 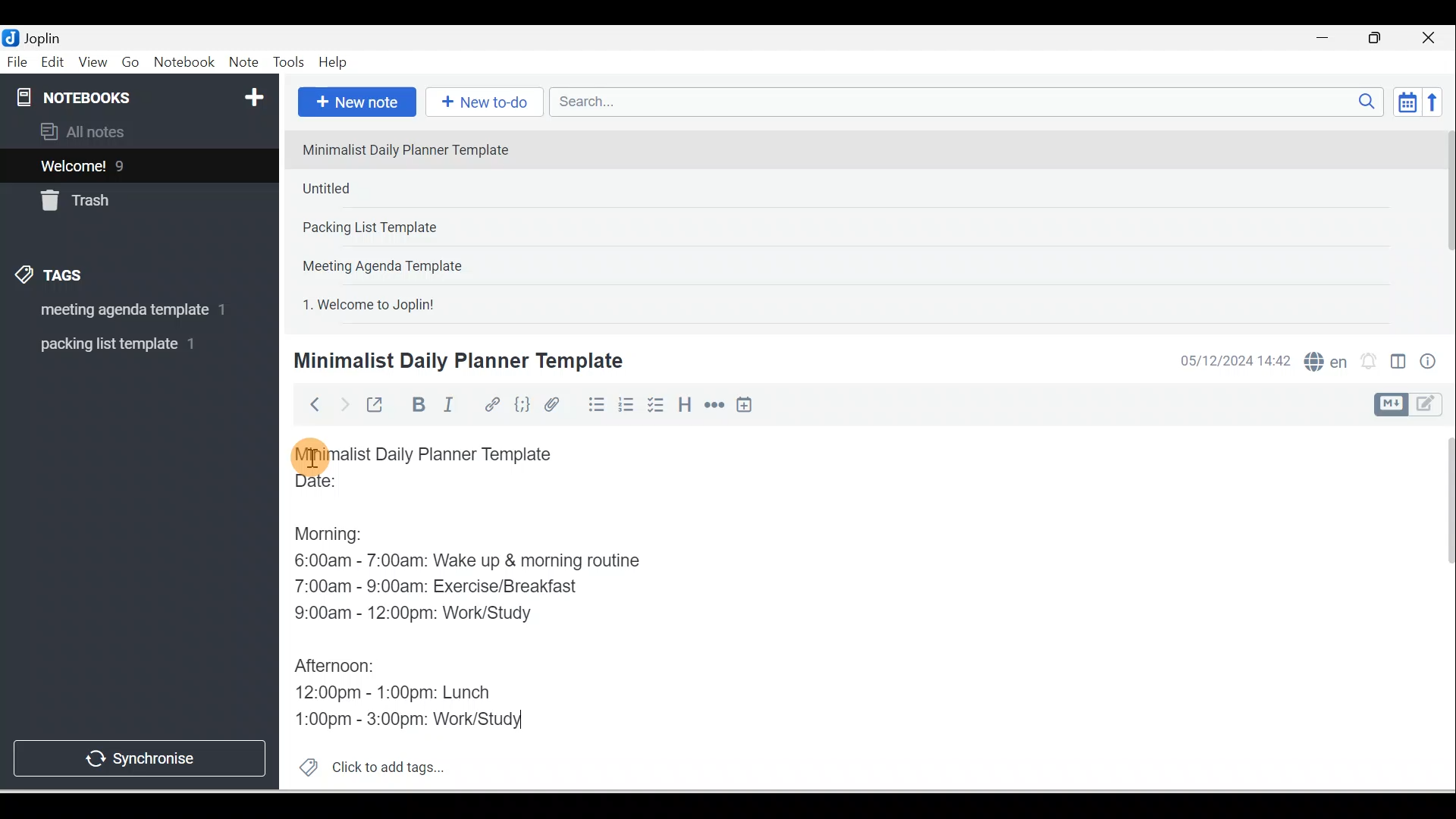 What do you see at coordinates (242, 63) in the screenshot?
I see `Note` at bounding box center [242, 63].